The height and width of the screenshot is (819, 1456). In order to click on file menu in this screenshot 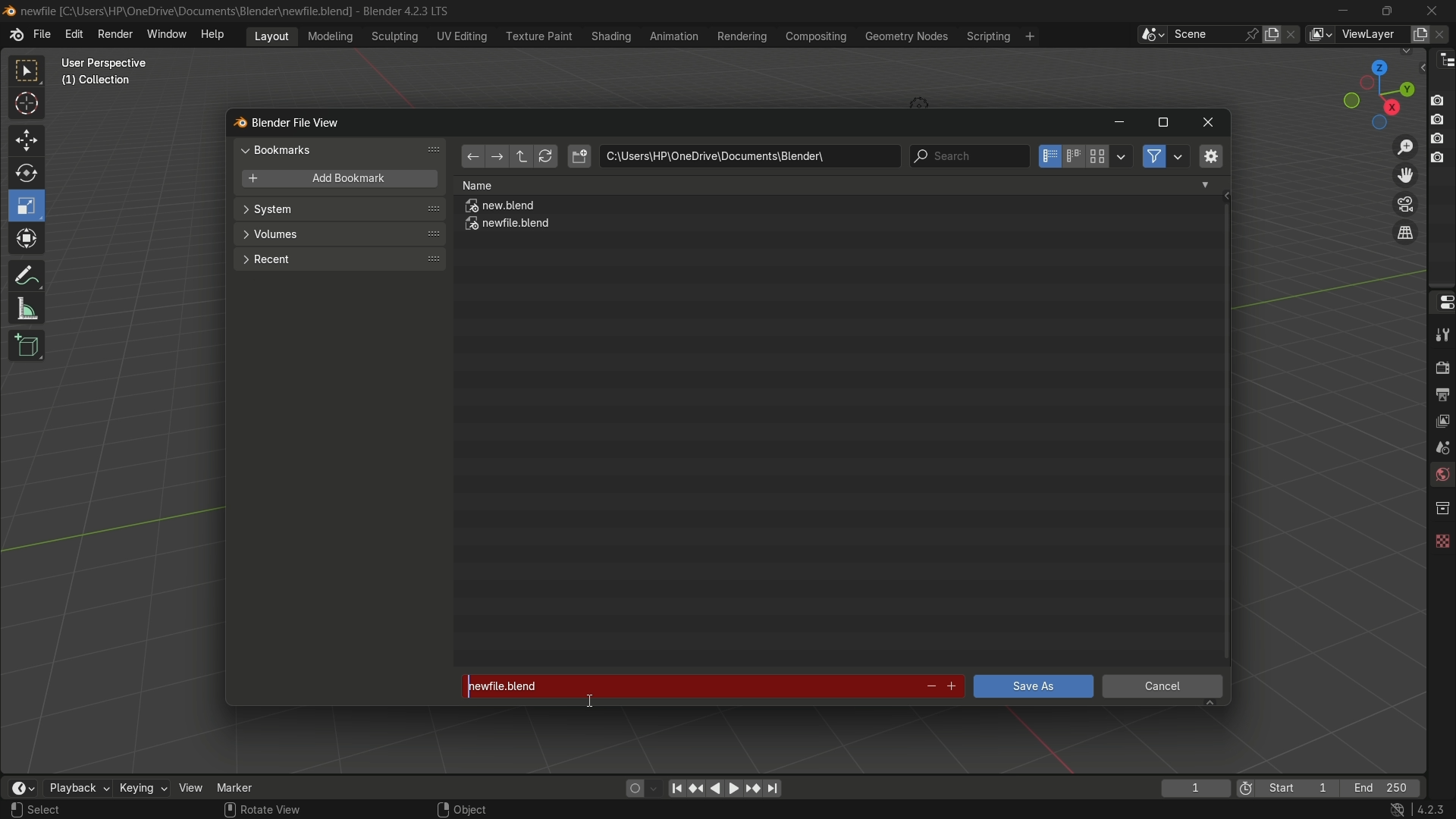, I will do `click(42, 35)`.